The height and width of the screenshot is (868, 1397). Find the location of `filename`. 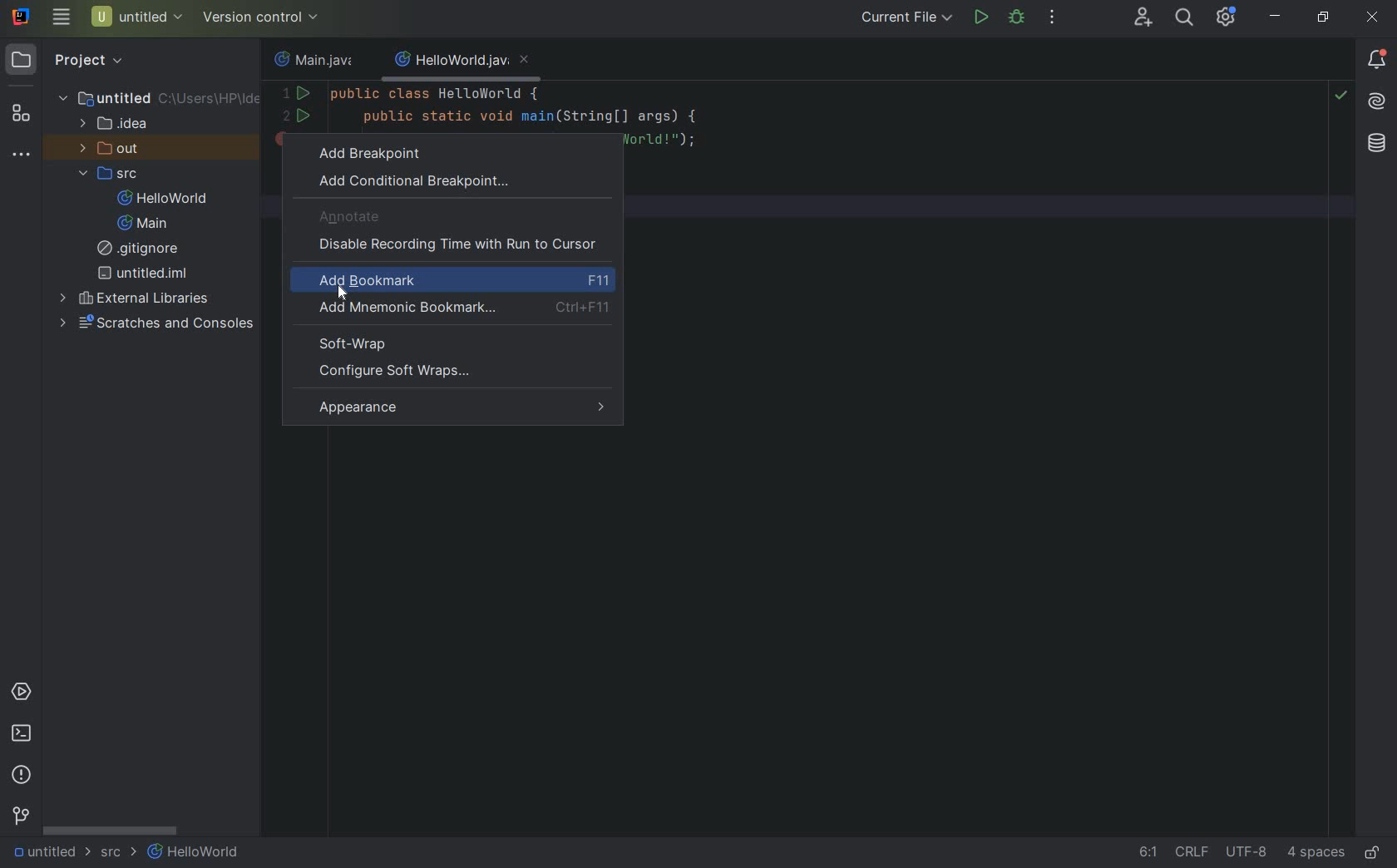

filename is located at coordinates (313, 62).